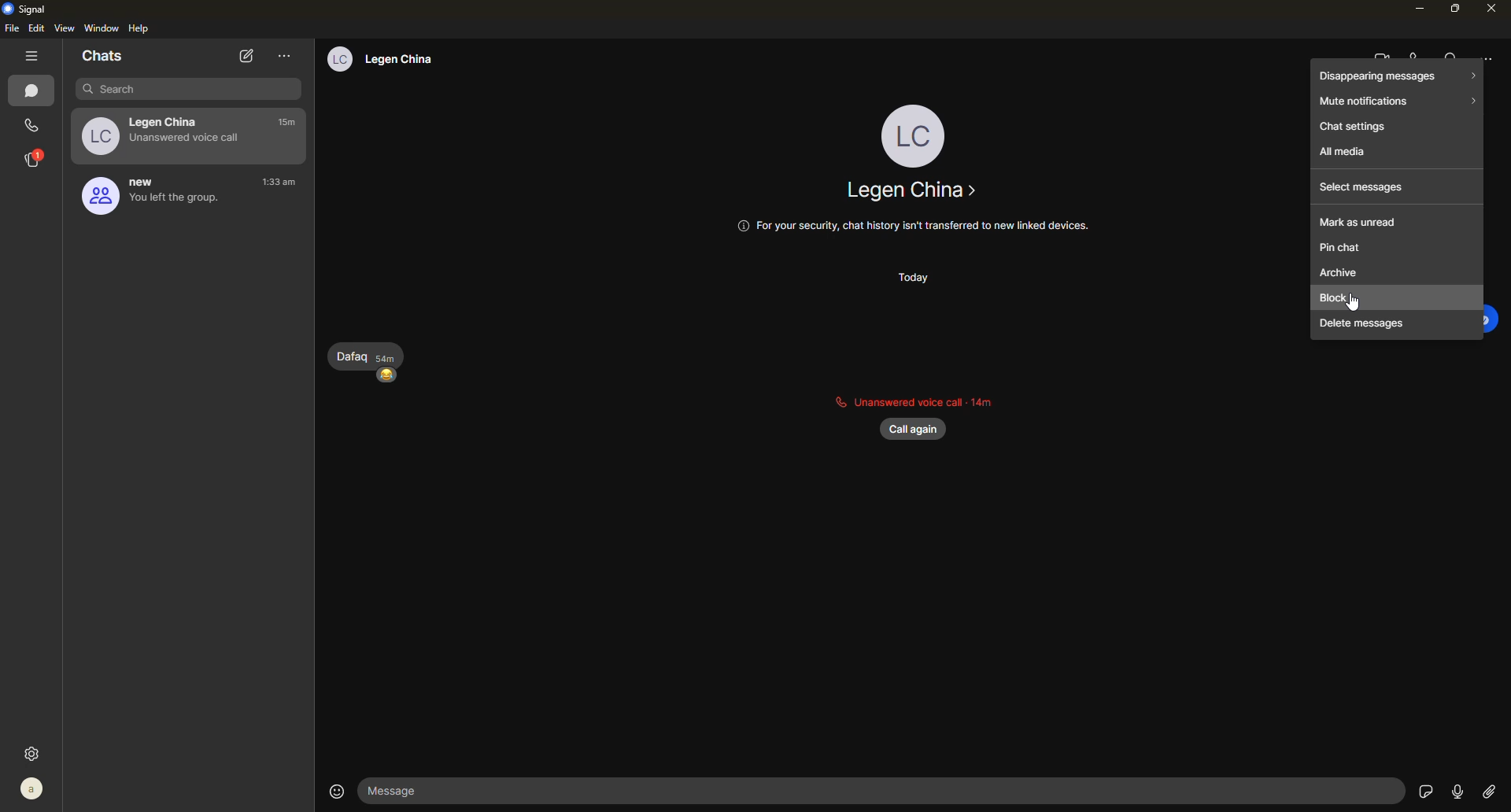 The width and height of the screenshot is (1511, 812). What do you see at coordinates (1342, 153) in the screenshot?
I see `all media` at bounding box center [1342, 153].